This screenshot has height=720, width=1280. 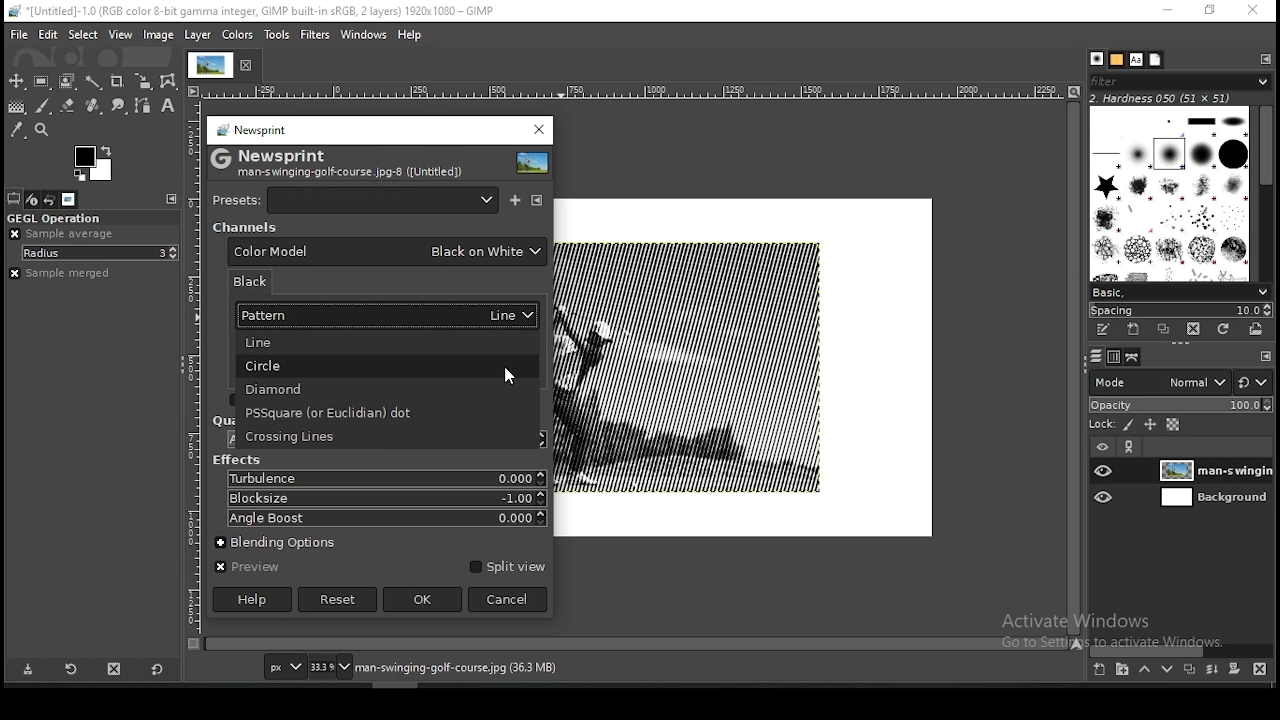 I want to click on lock position and size, so click(x=1149, y=426).